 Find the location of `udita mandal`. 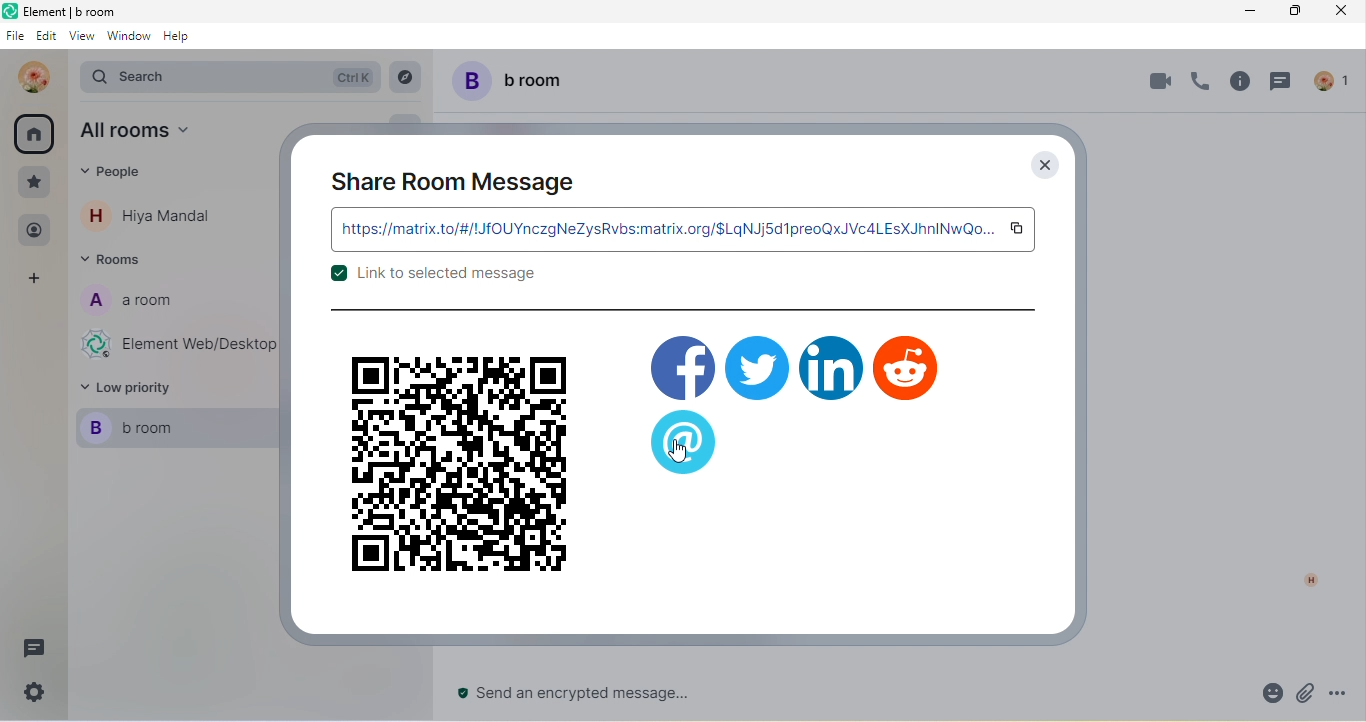

udita mandal is located at coordinates (29, 77).